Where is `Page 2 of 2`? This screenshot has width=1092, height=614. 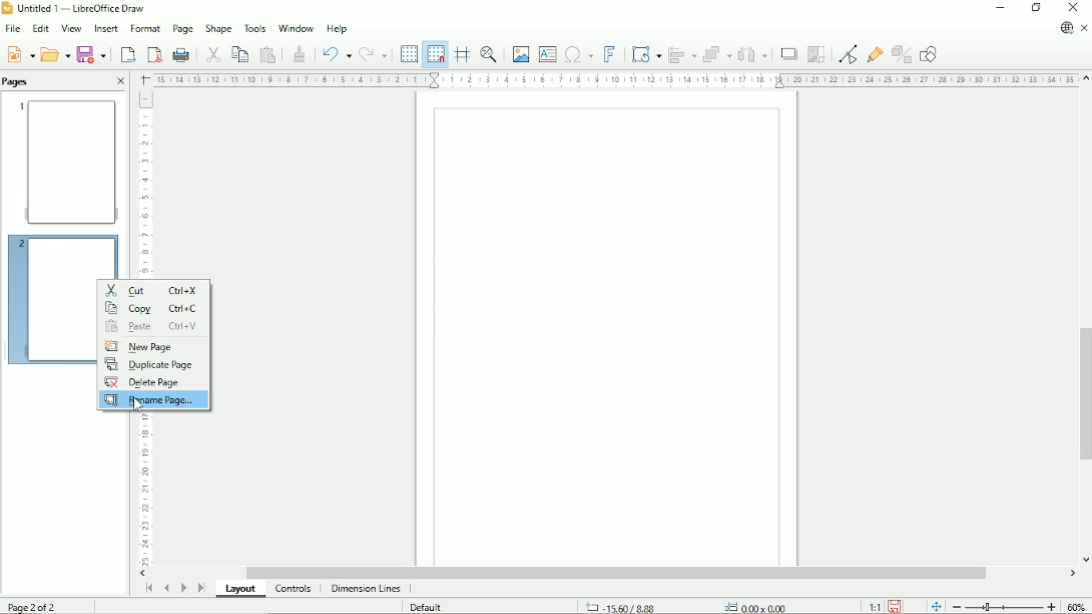 Page 2 of 2 is located at coordinates (36, 605).